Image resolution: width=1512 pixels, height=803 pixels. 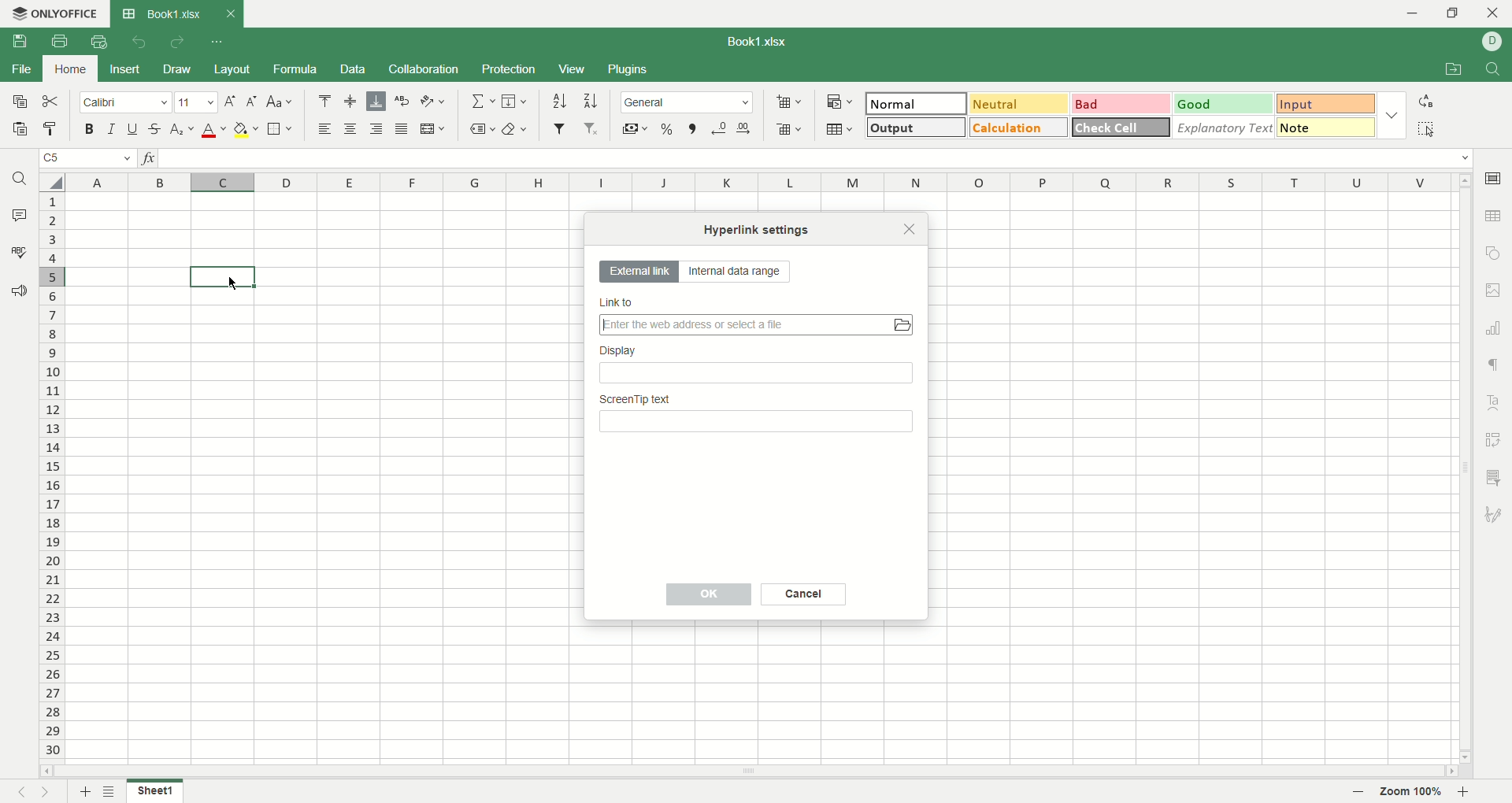 I want to click on data, so click(x=352, y=69).